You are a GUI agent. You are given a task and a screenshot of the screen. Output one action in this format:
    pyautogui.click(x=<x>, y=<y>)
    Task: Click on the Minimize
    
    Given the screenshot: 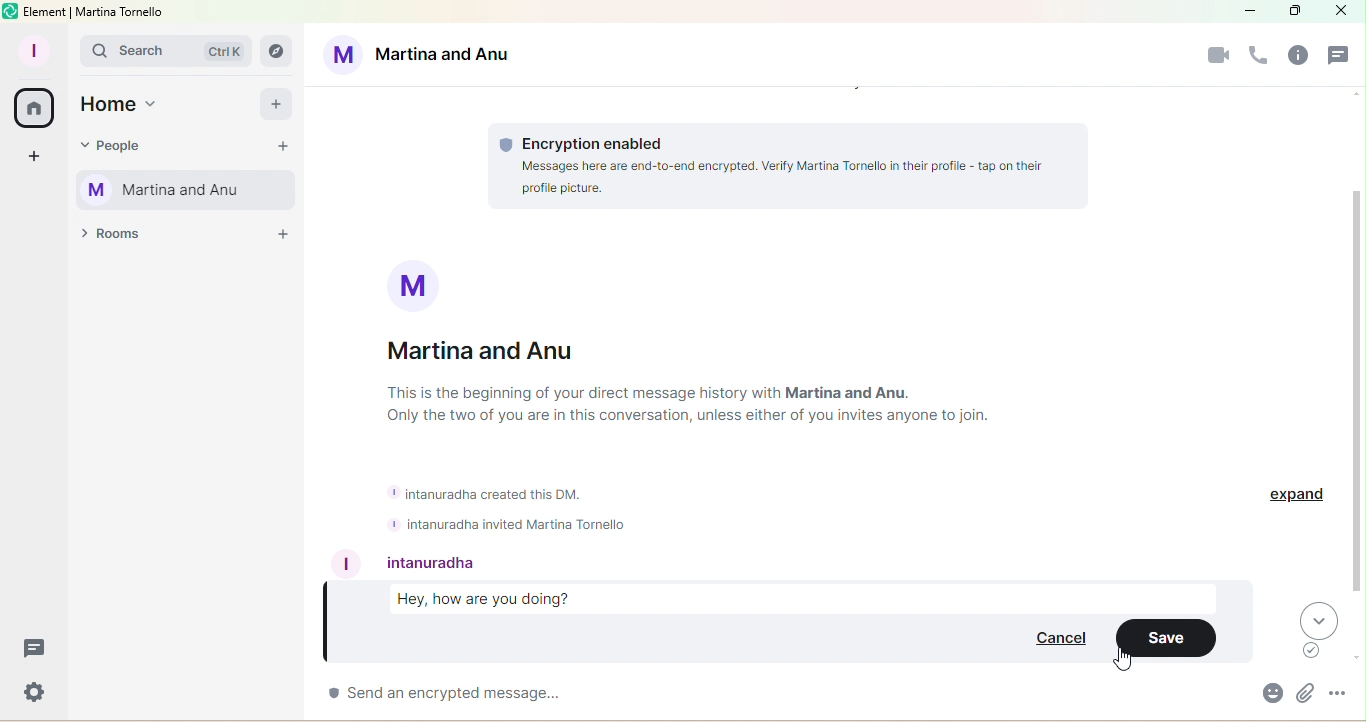 What is the action you would take?
    pyautogui.click(x=1251, y=11)
    